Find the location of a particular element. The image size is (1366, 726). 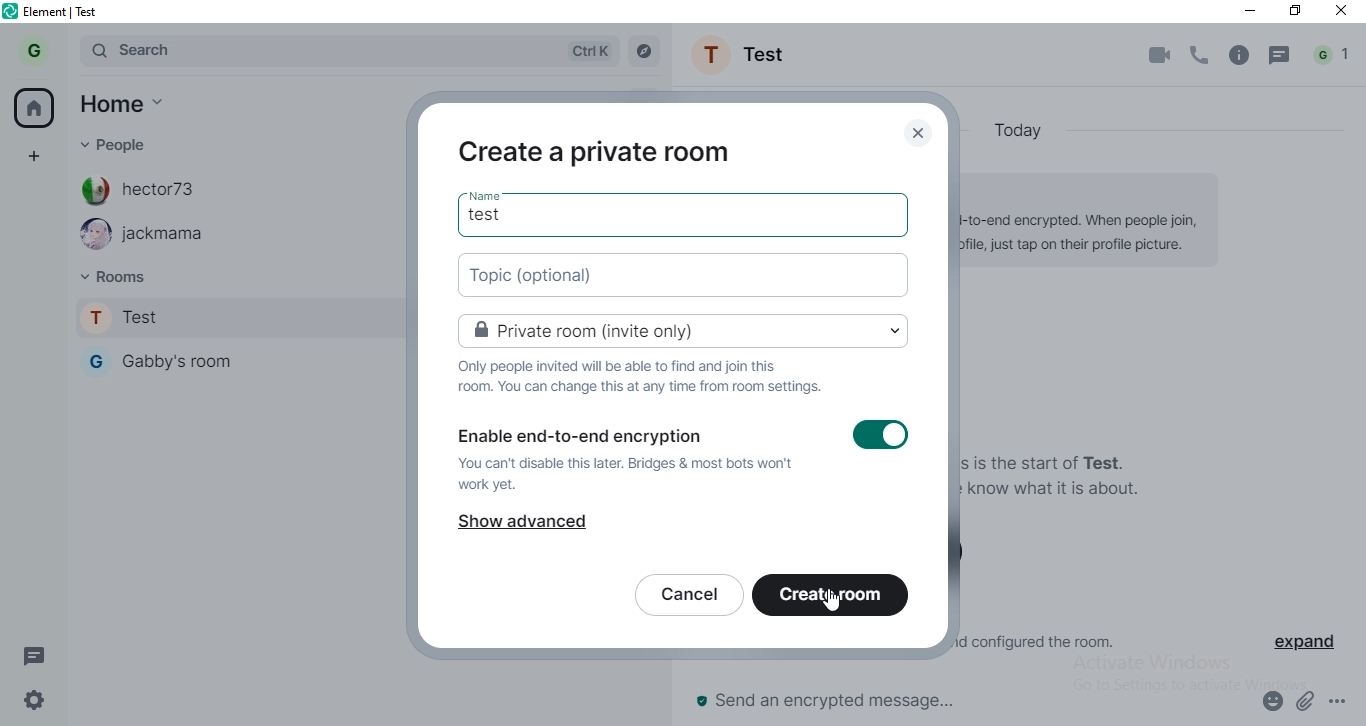

topic is located at coordinates (688, 278).